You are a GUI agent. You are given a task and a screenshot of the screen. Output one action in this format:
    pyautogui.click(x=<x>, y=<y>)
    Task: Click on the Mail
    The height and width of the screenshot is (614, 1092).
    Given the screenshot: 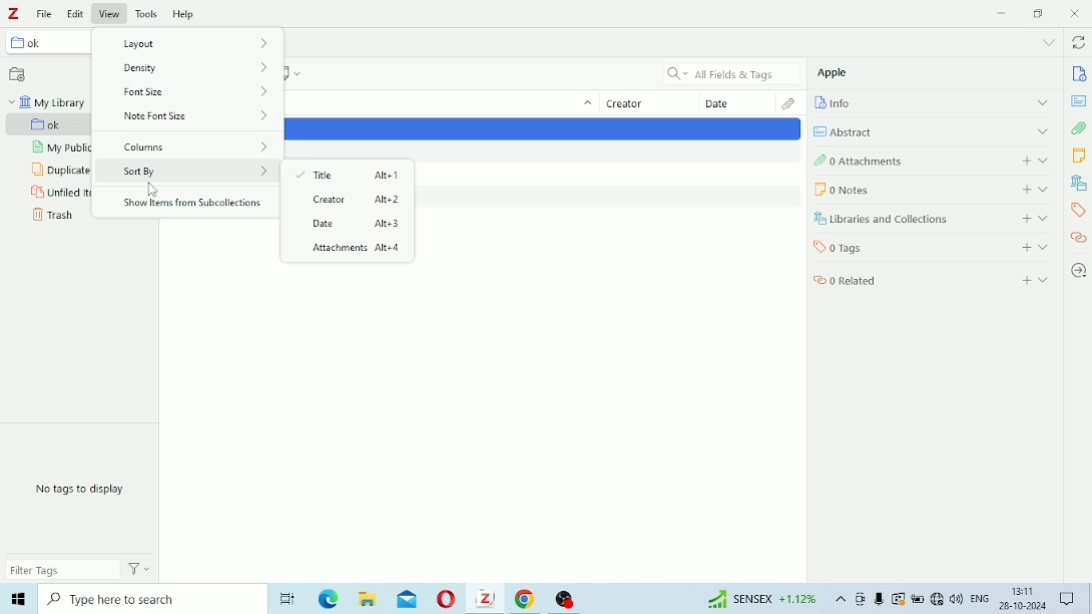 What is the action you would take?
    pyautogui.click(x=407, y=599)
    